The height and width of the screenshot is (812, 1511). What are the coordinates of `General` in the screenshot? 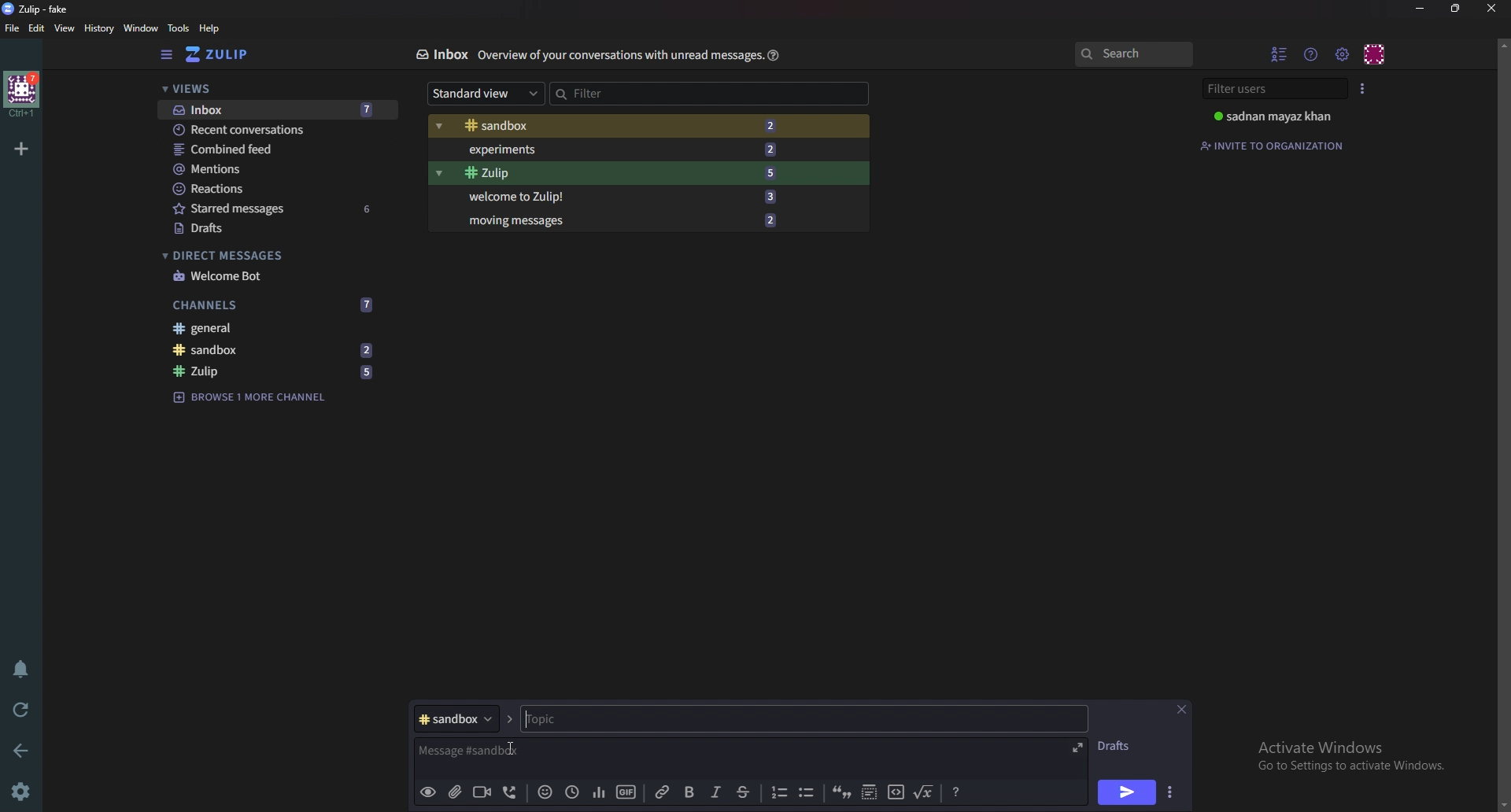 It's located at (268, 327).